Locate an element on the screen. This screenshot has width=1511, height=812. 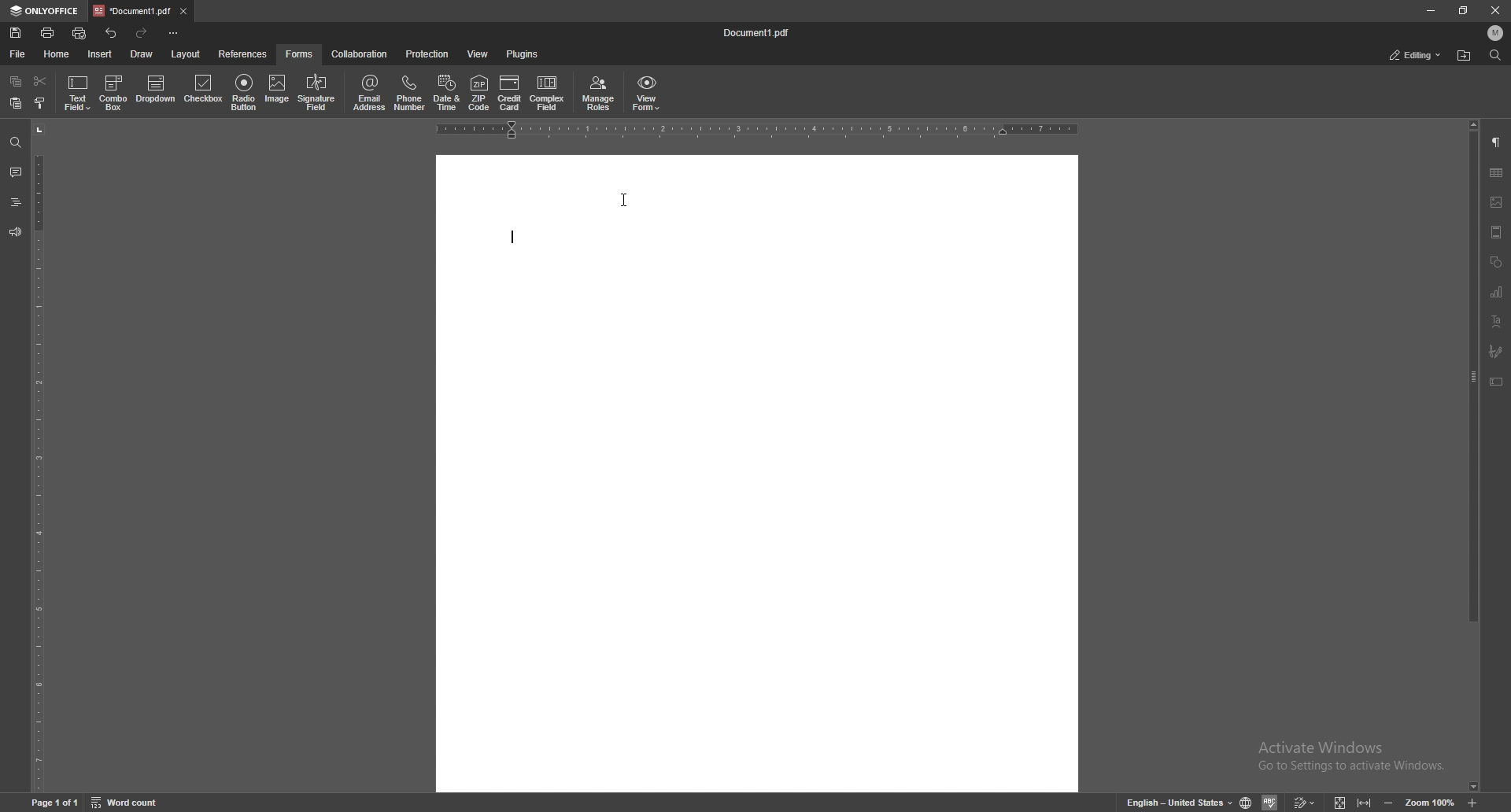
complex field is located at coordinates (547, 94).